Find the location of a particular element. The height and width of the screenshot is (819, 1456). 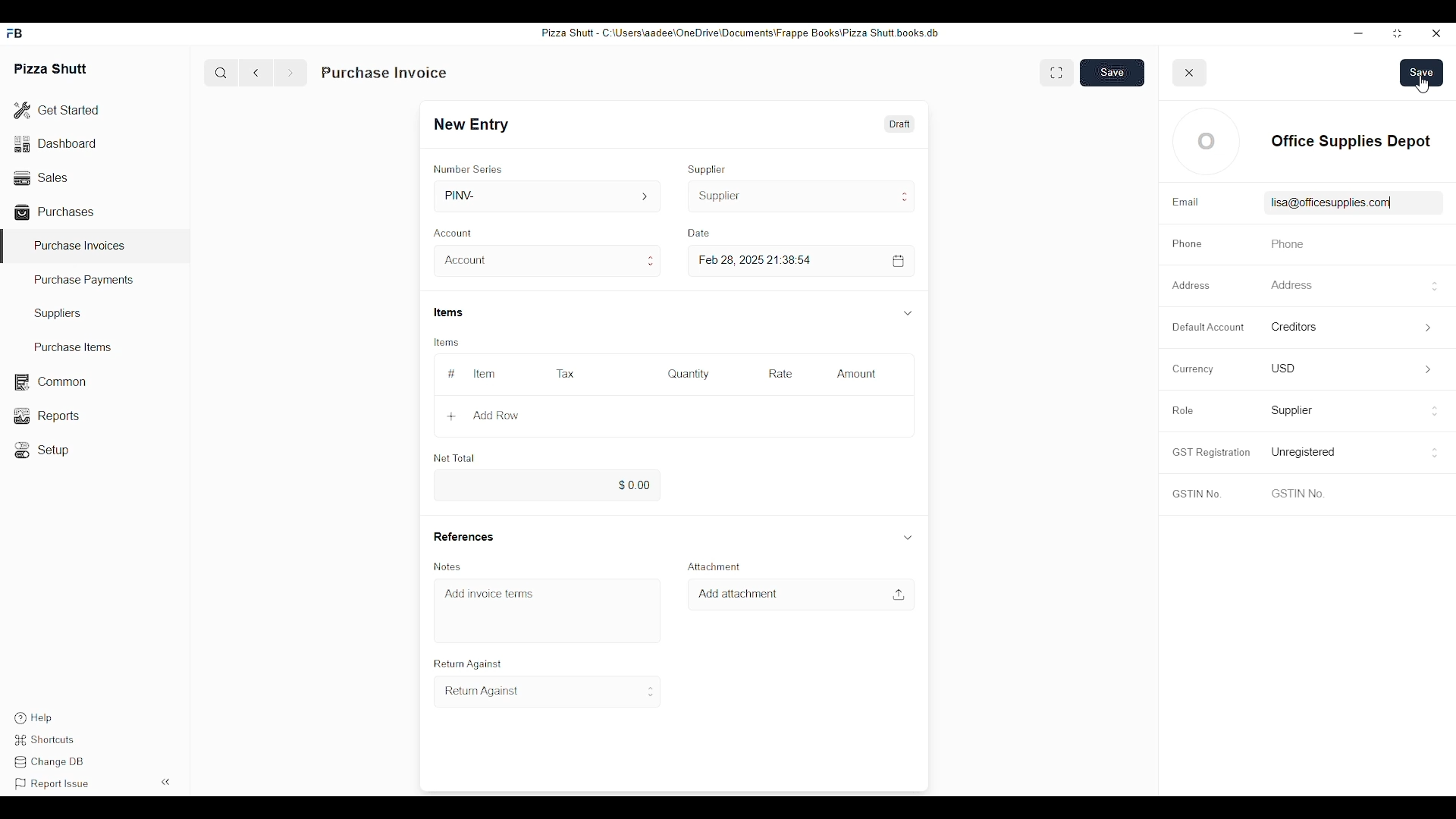

Pizza Shutt is located at coordinates (52, 67).